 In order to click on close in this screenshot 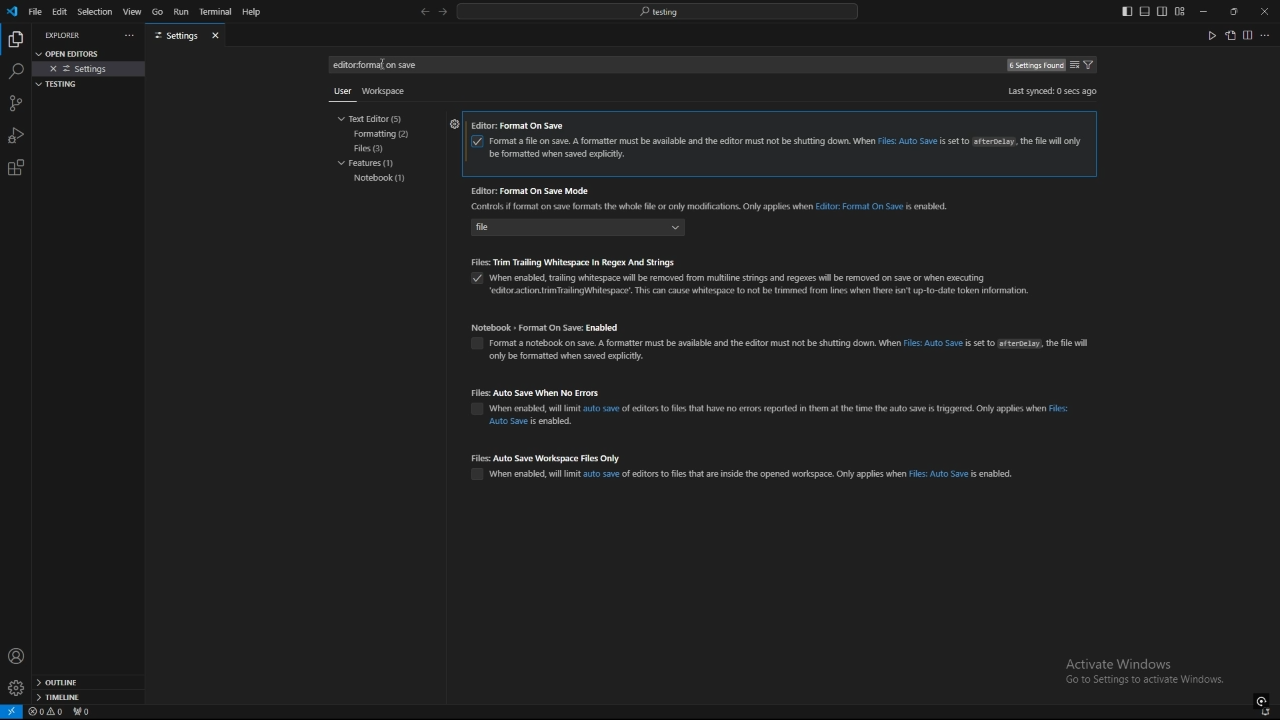, I will do `click(1264, 10)`.